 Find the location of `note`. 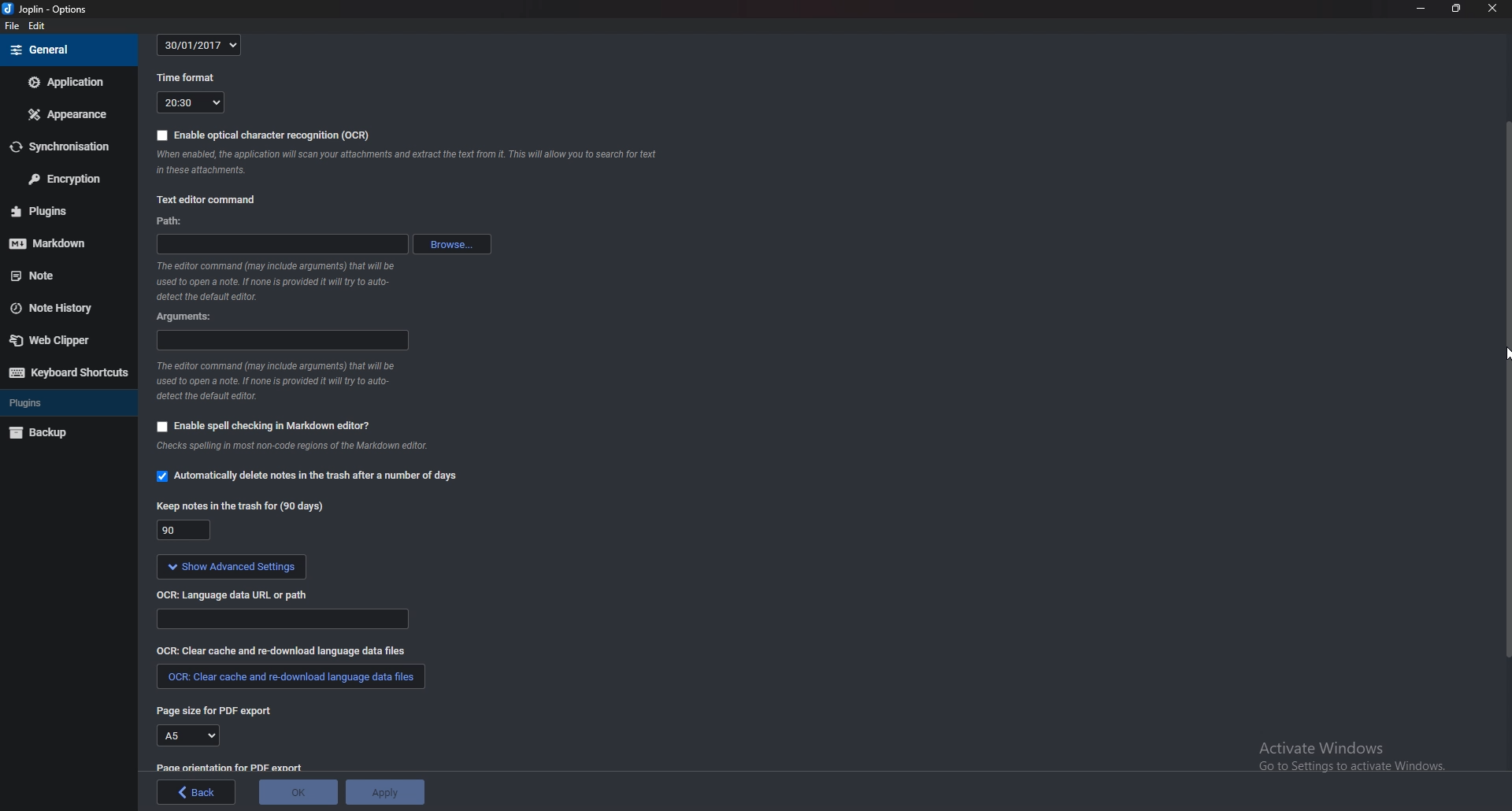

note is located at coordinates (54, 276).